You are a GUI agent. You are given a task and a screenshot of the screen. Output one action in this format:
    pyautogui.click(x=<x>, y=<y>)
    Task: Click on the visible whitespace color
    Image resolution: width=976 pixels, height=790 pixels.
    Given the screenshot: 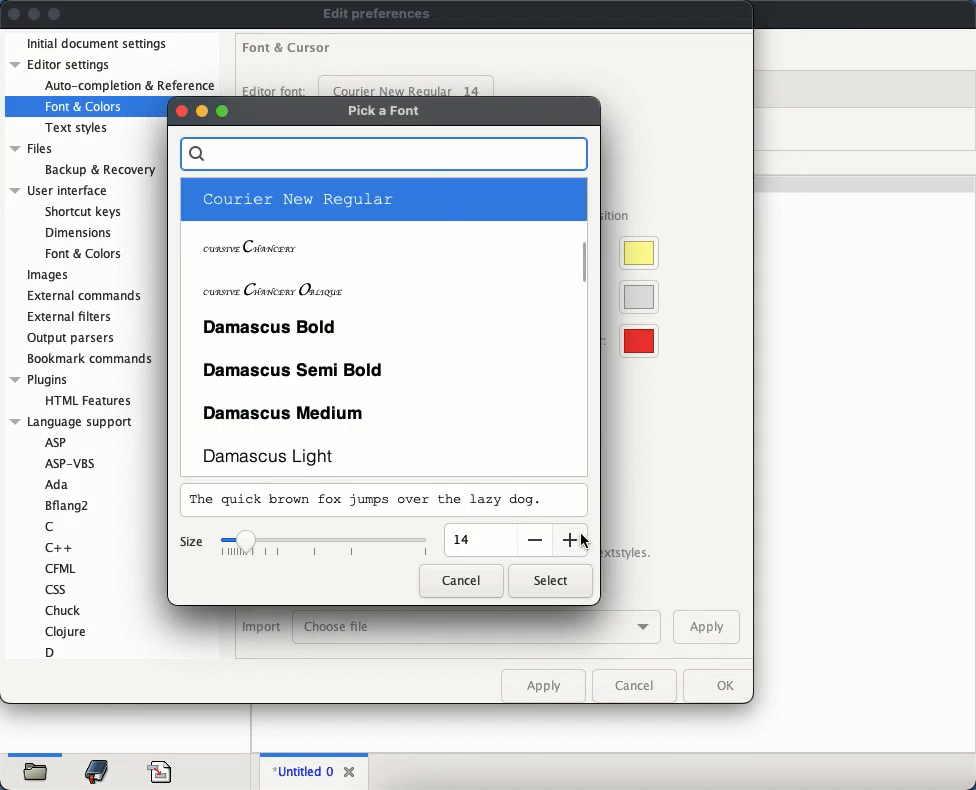 What is the action you would take?
    pyautogui.click(x=635, y=342)
    